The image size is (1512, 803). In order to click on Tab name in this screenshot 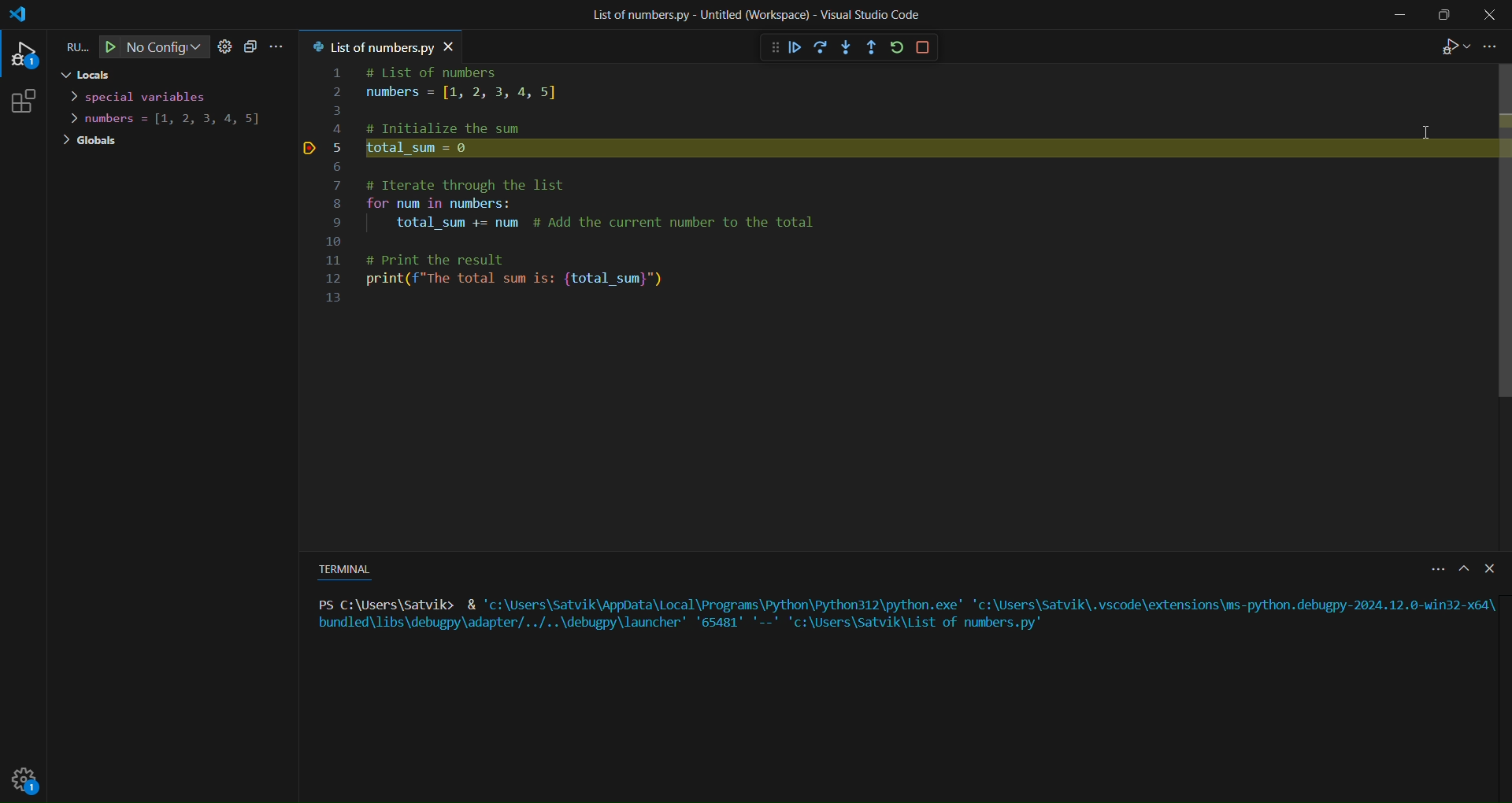, I will do `click(370, 46)`.